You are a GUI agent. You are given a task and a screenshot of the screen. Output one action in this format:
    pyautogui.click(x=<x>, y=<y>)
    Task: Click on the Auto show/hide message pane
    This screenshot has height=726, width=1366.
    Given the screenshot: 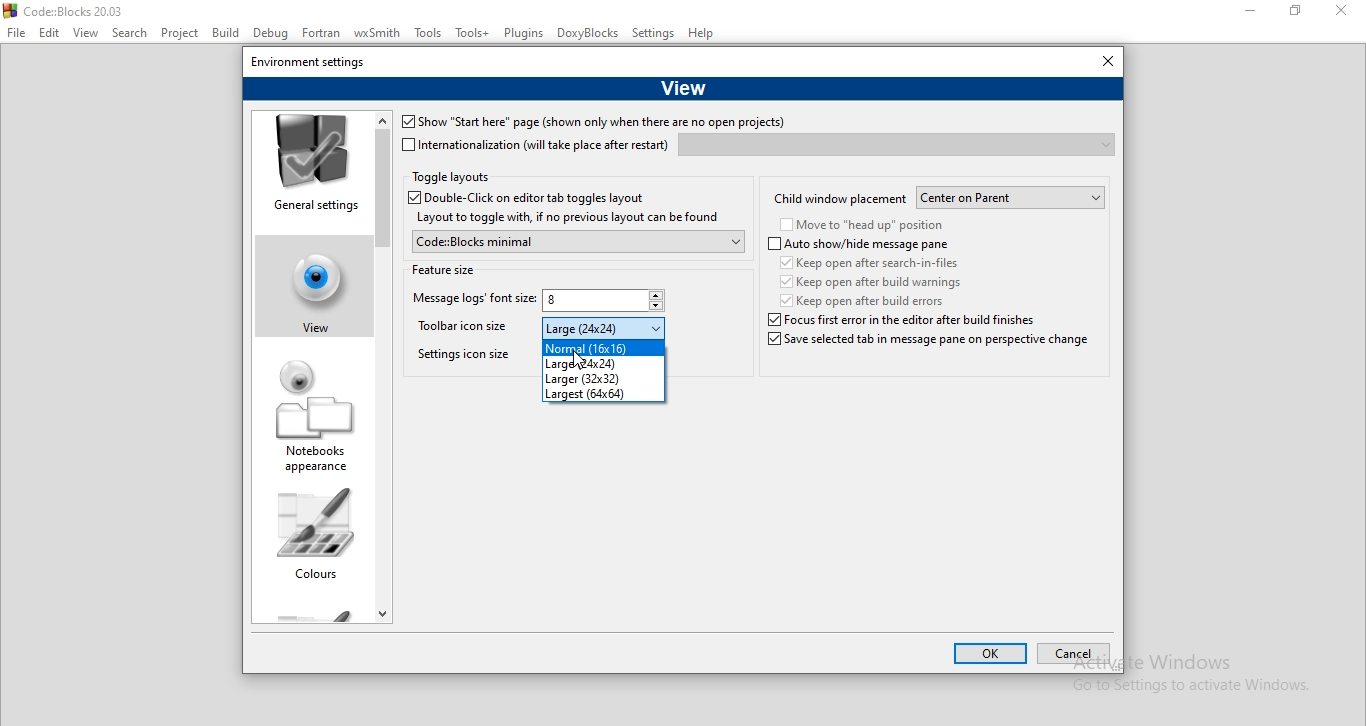 What is the action you would take?
    pyautogui.click(x=859, y=245)
    